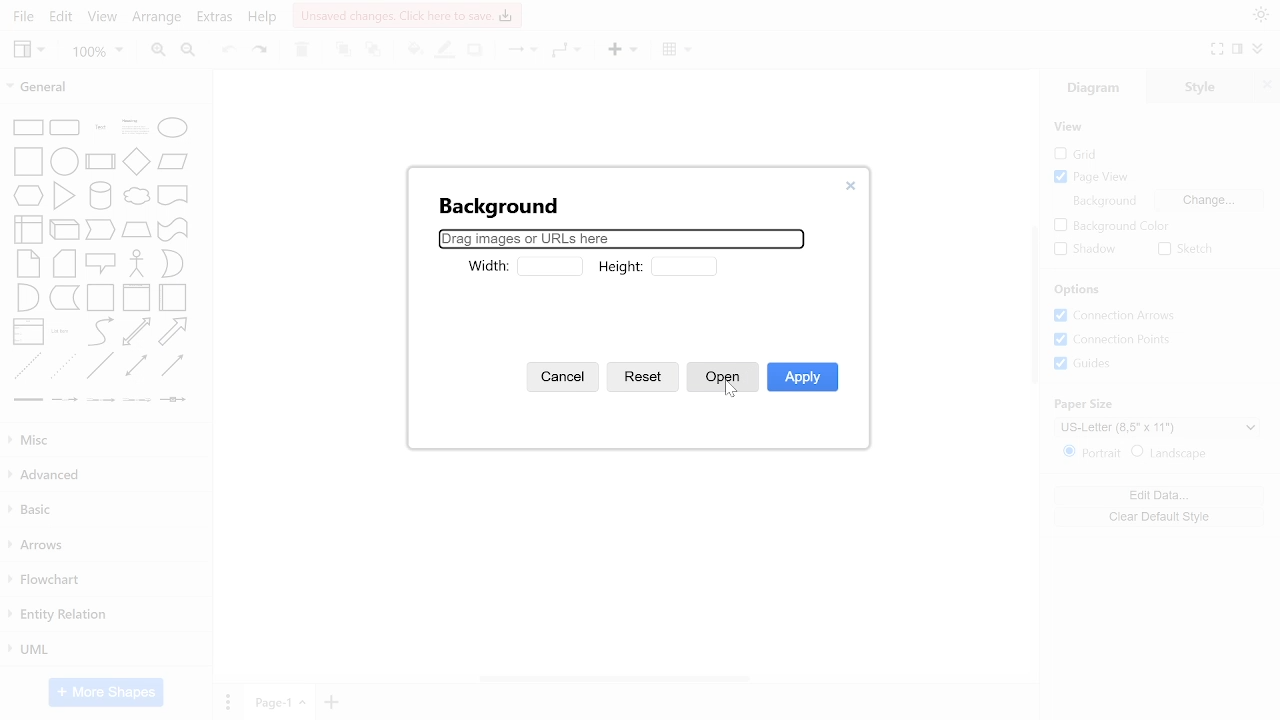  Describe the element at coordinates (1071, 127) in the screenshot. I see `View` at that location.